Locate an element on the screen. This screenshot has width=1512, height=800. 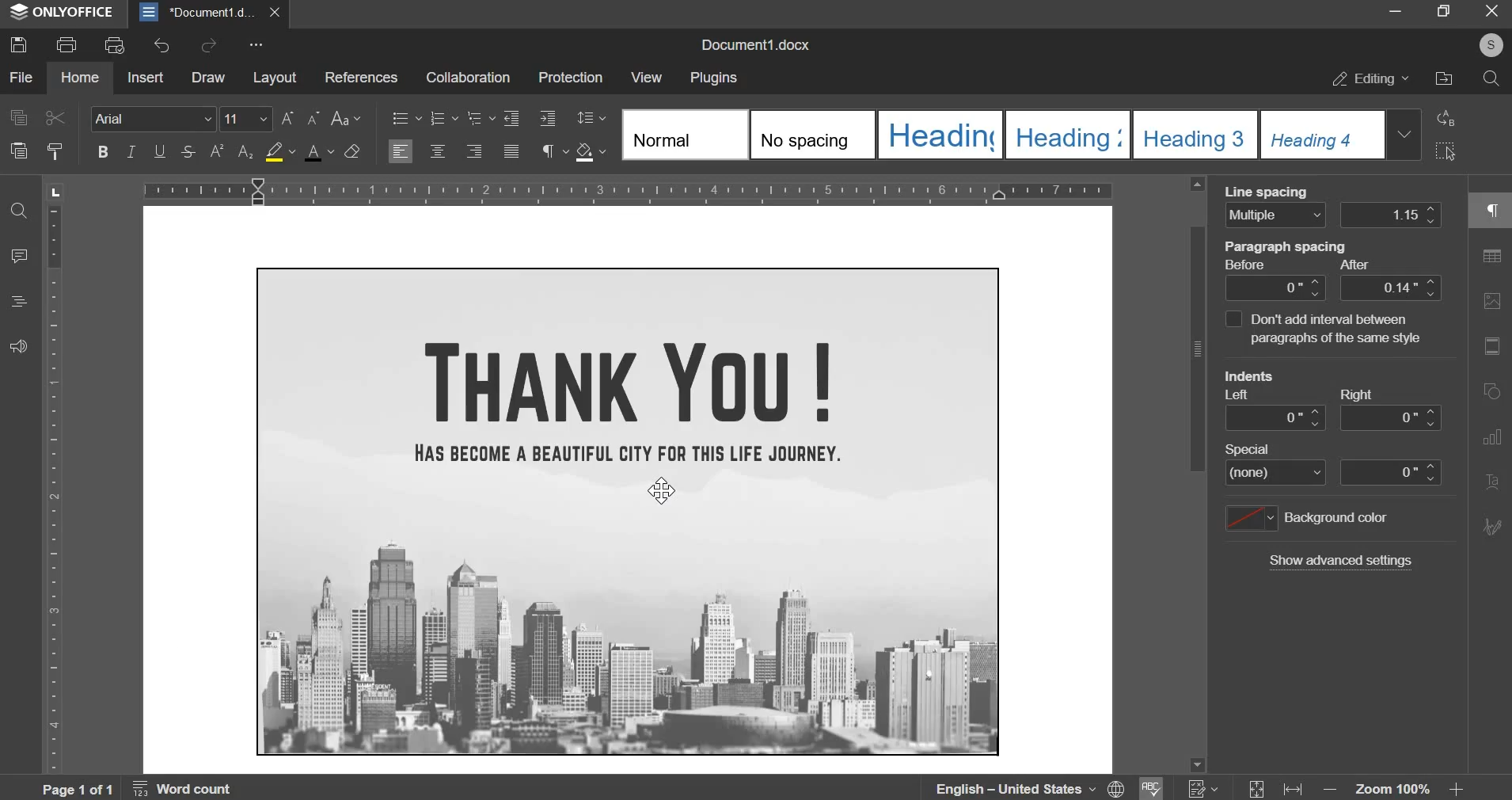
increase indent is located at coordinates (546, 118).